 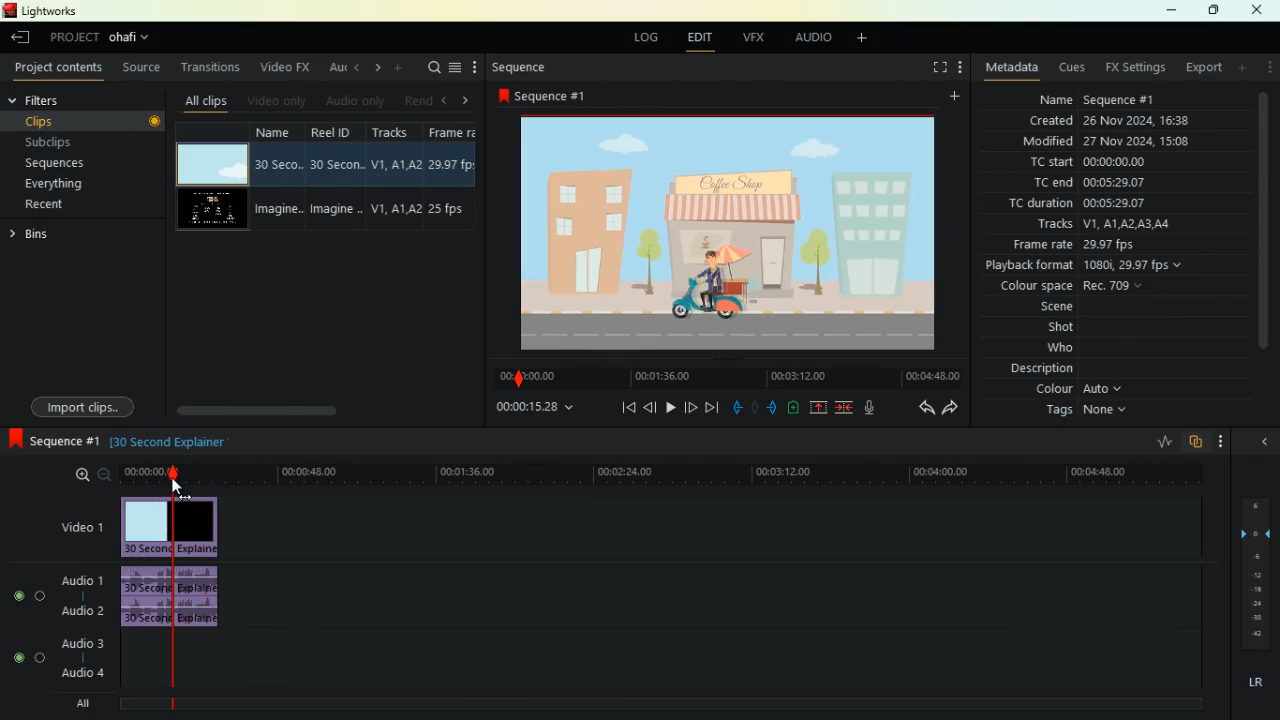 I want to click on buttons, so click(x=15, y=628).